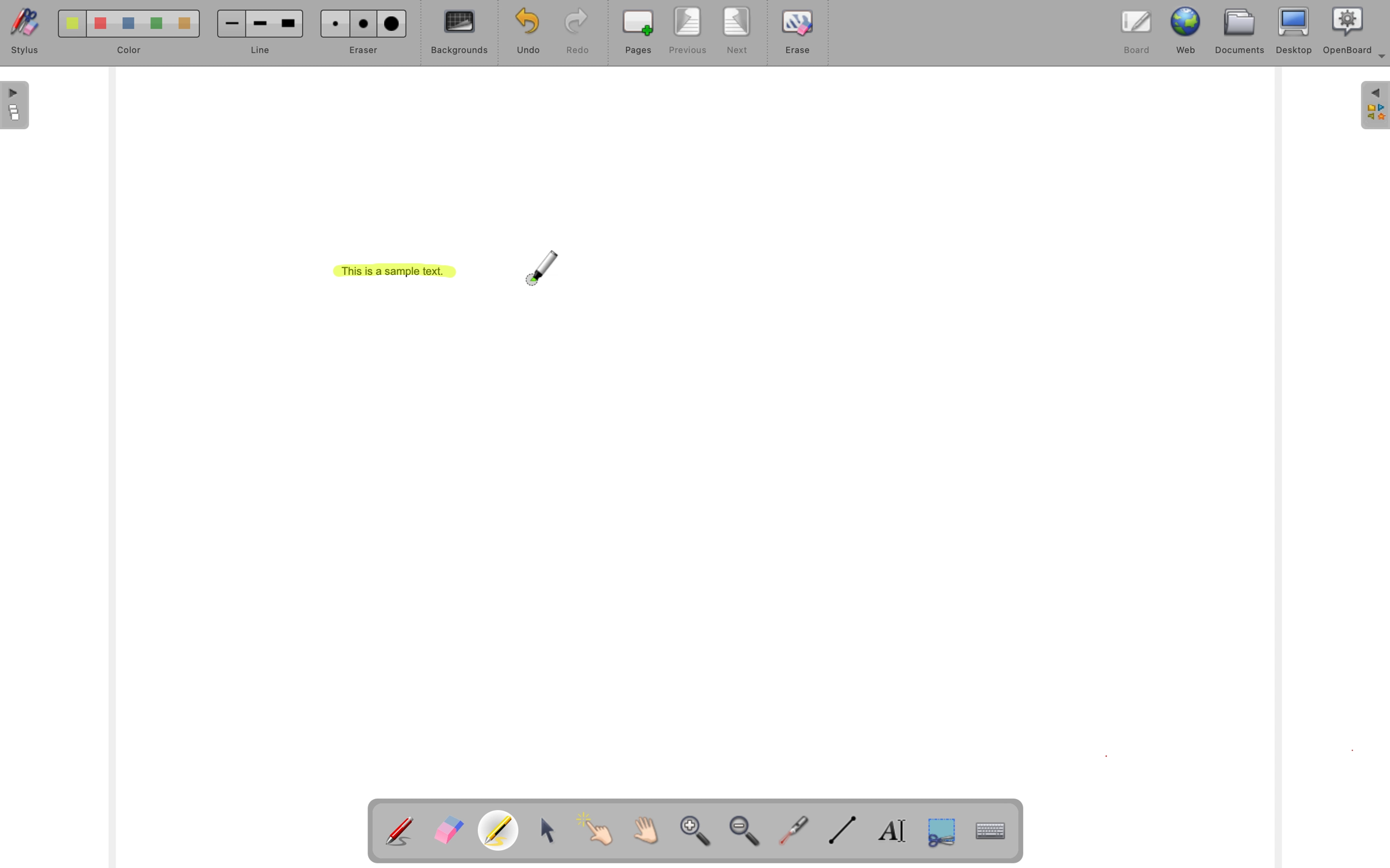 The height and width of the screenshot is (868, 1390). I want to click on web, so click(1187, 32).